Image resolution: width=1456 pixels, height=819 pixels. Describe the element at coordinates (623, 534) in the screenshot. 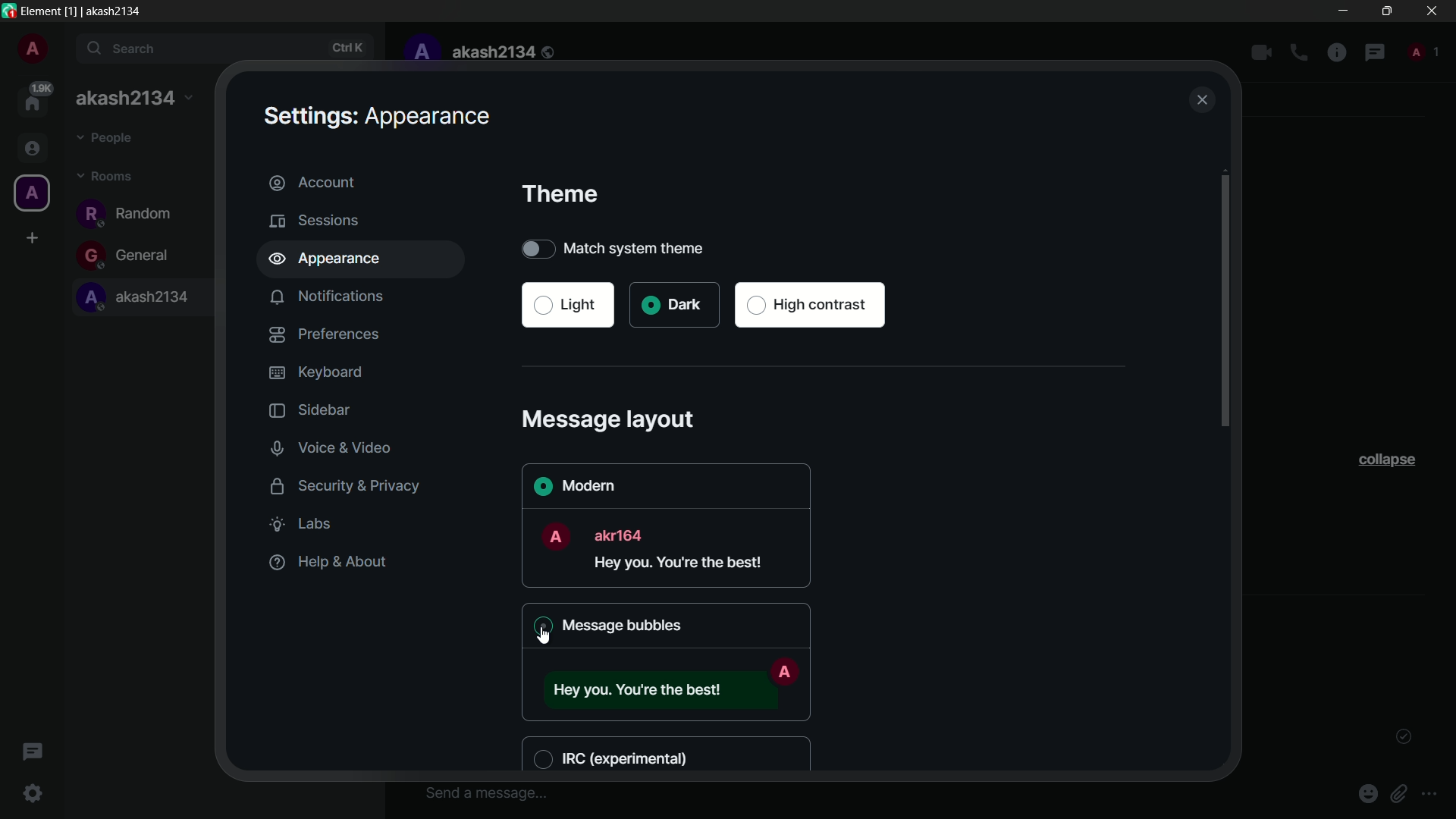

I see `akr164` at that location.